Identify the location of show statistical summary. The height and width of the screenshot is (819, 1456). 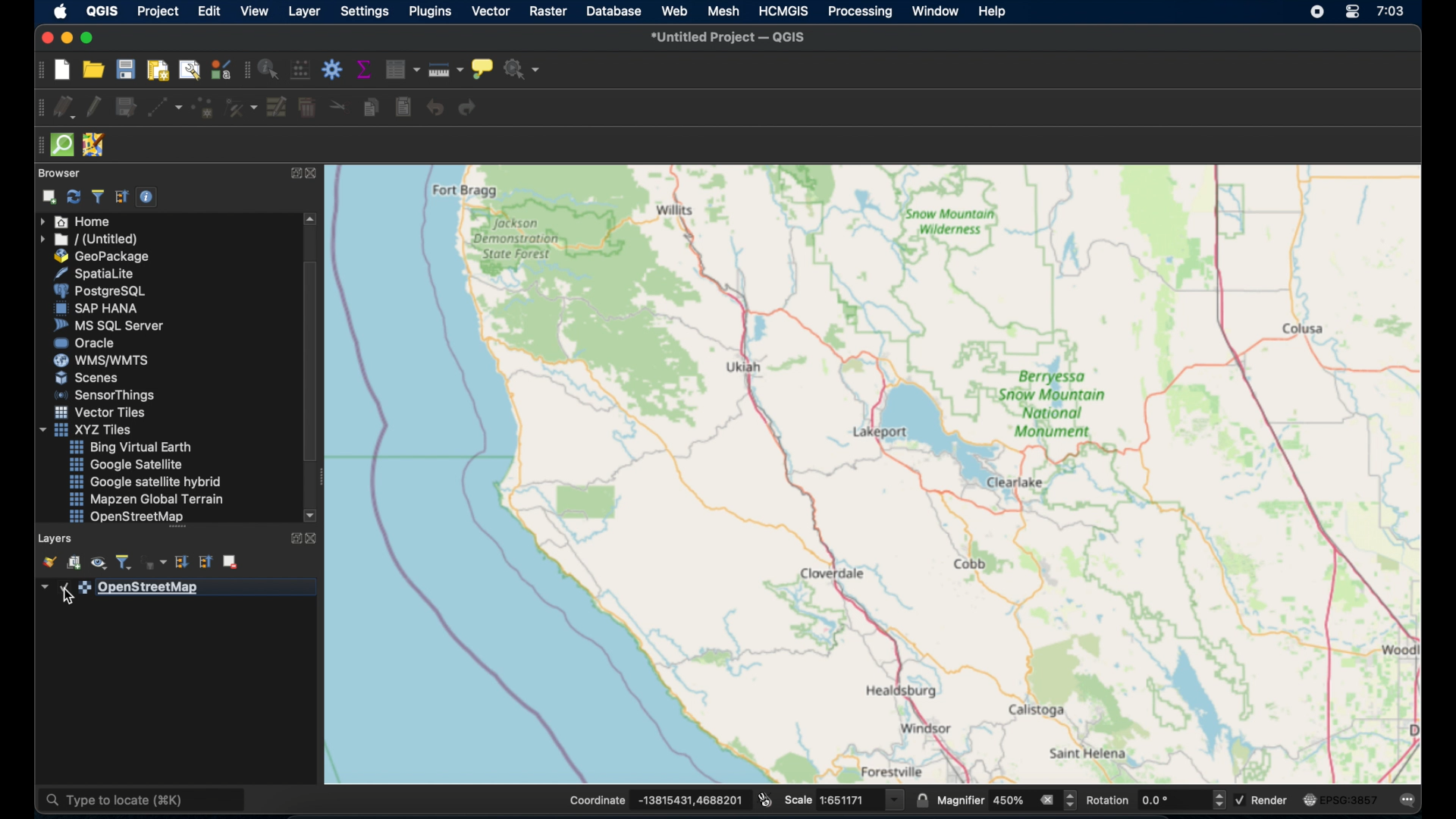
(364, 70).